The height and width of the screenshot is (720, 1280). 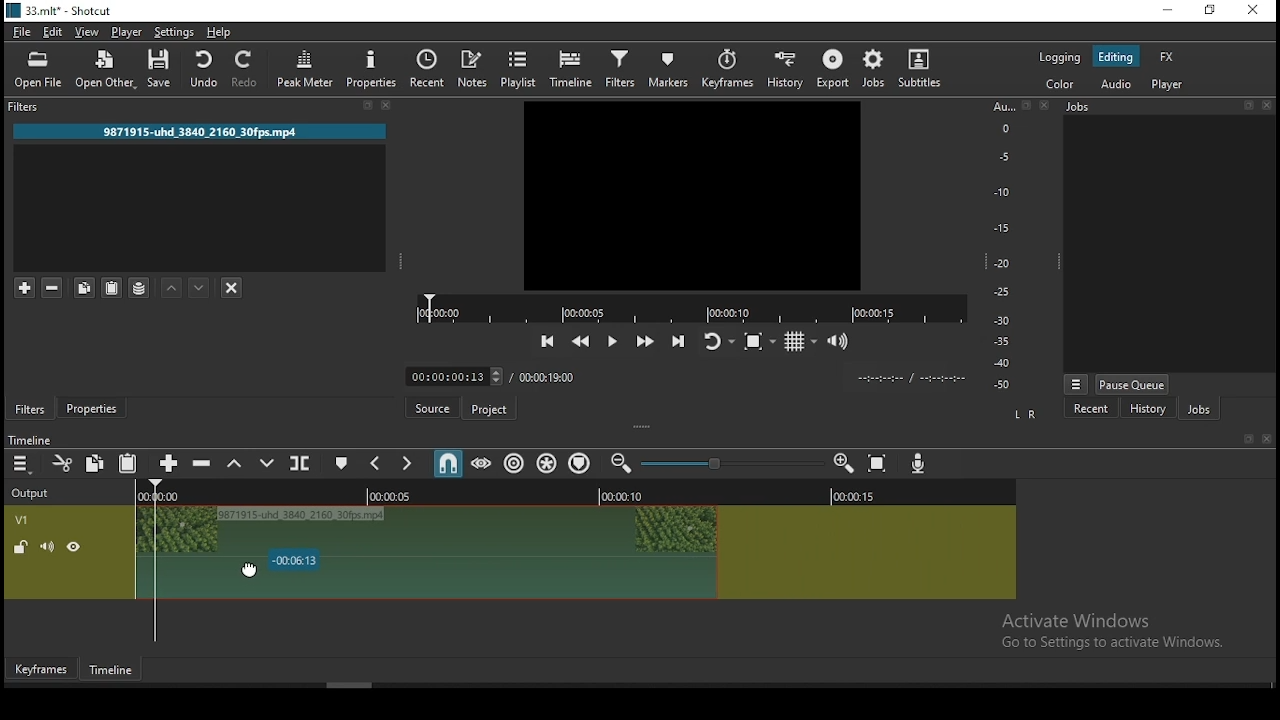 What do you see at coordinates (30, 409) in the screenshot?
I see `filters` at bounding box center [30, 409].